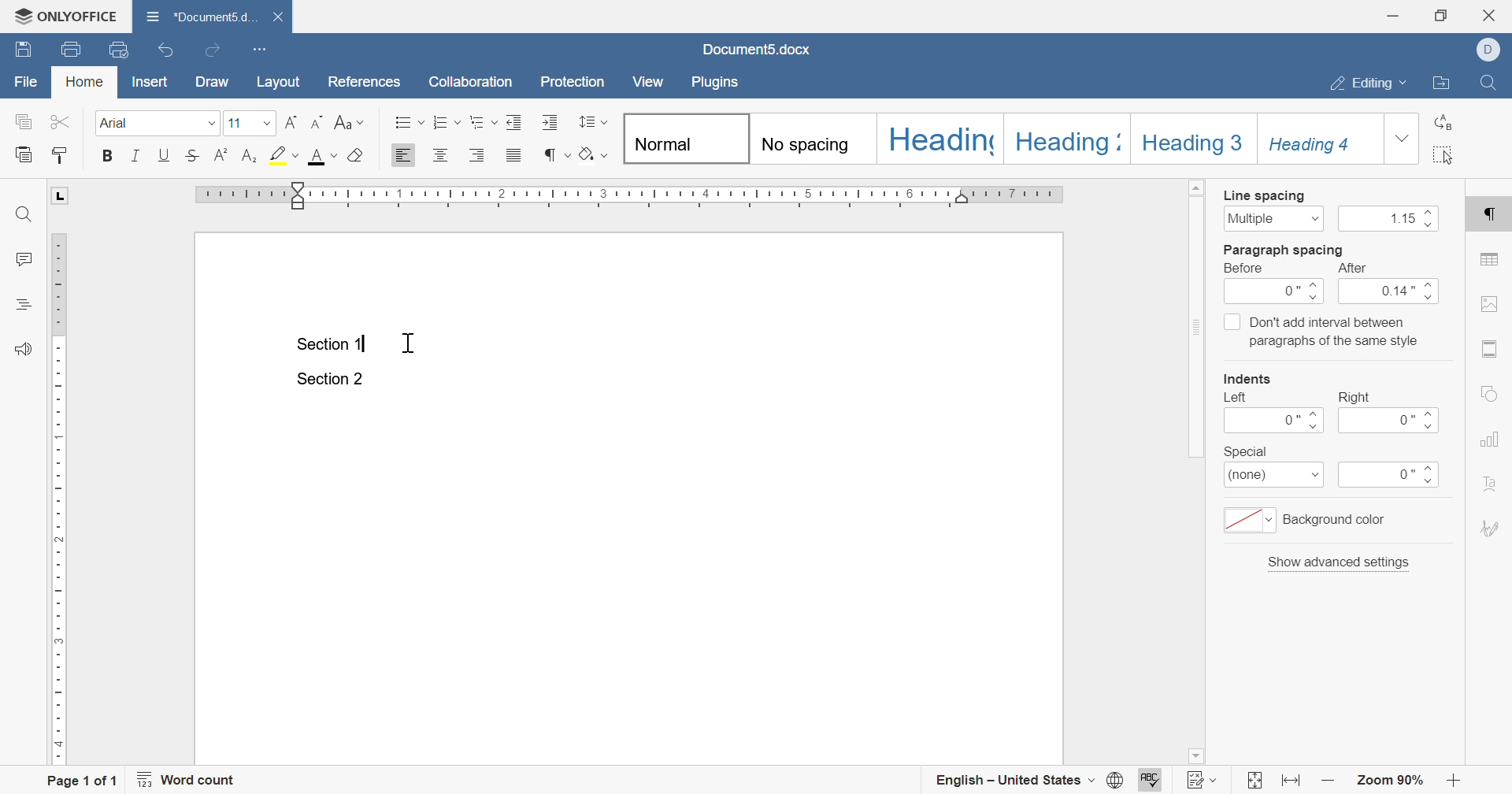  I want to click on Don't add interval between paragraphs of the same style, so click(1321, 331).